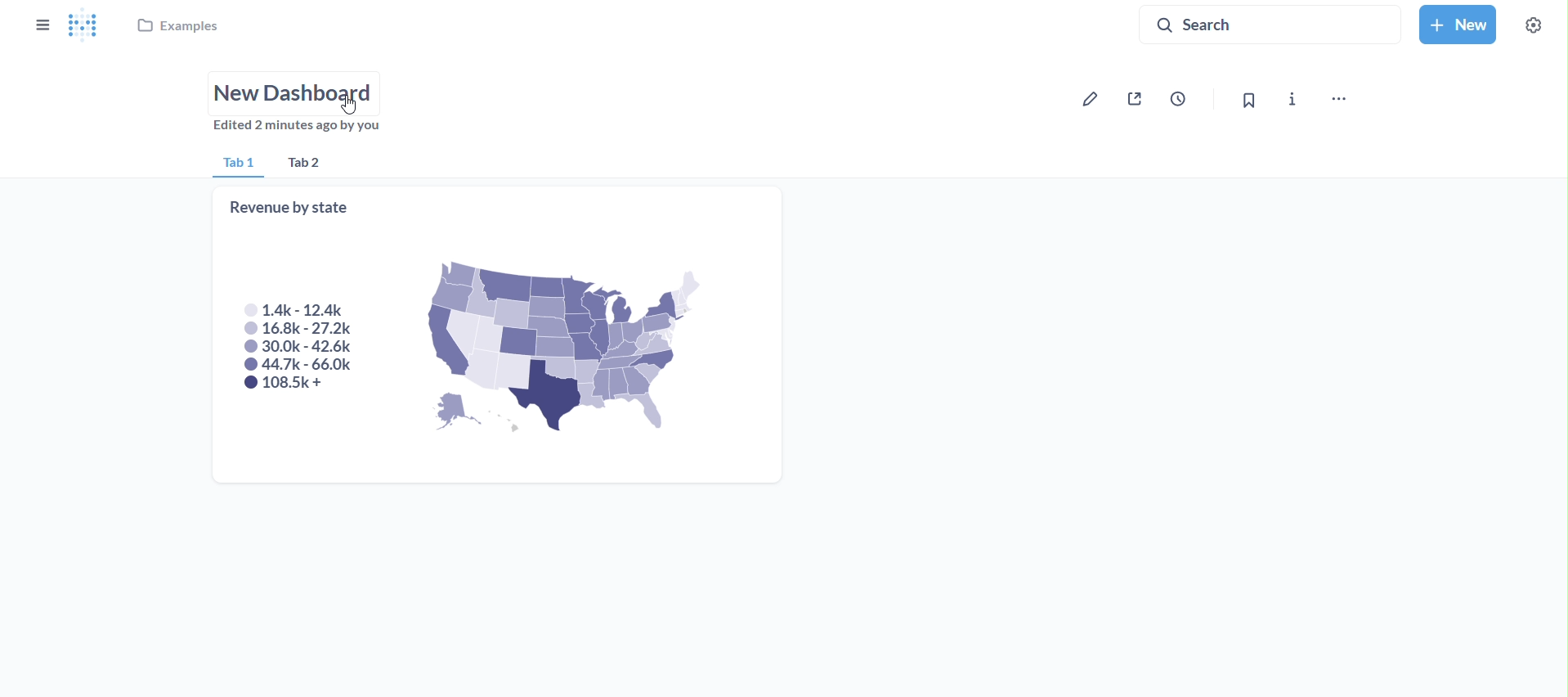 The width and height of the screenshot is (1568, 697). Describe the element at coordinates (1244, 100) in the screenshot. I see `bookmark` at that location.